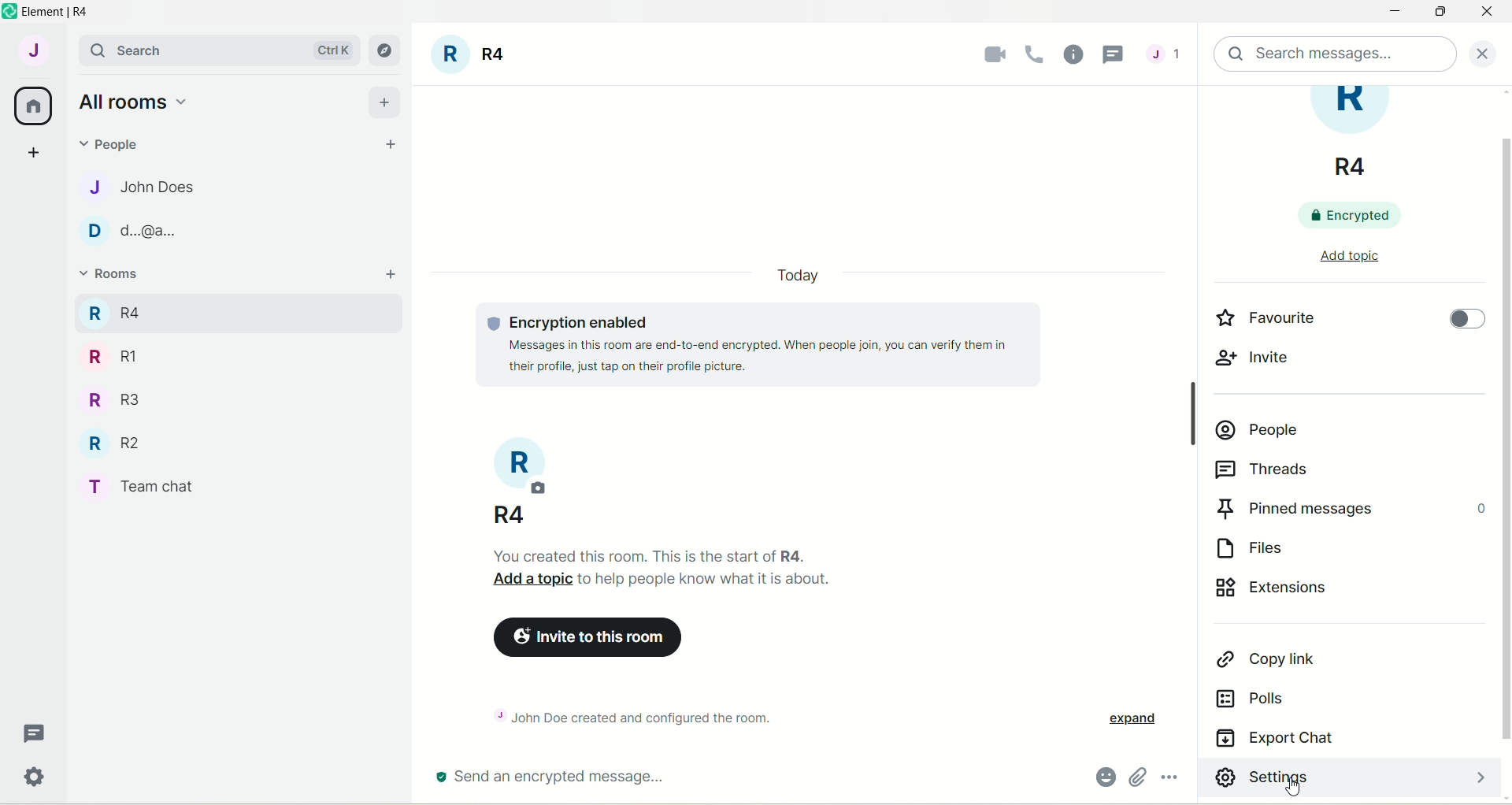 The width and height of the screenshot is (1512, 805). What do you see at coordinates (391, 146) in the screenshot?
I see `start chat` at bounding box center [391, 146].